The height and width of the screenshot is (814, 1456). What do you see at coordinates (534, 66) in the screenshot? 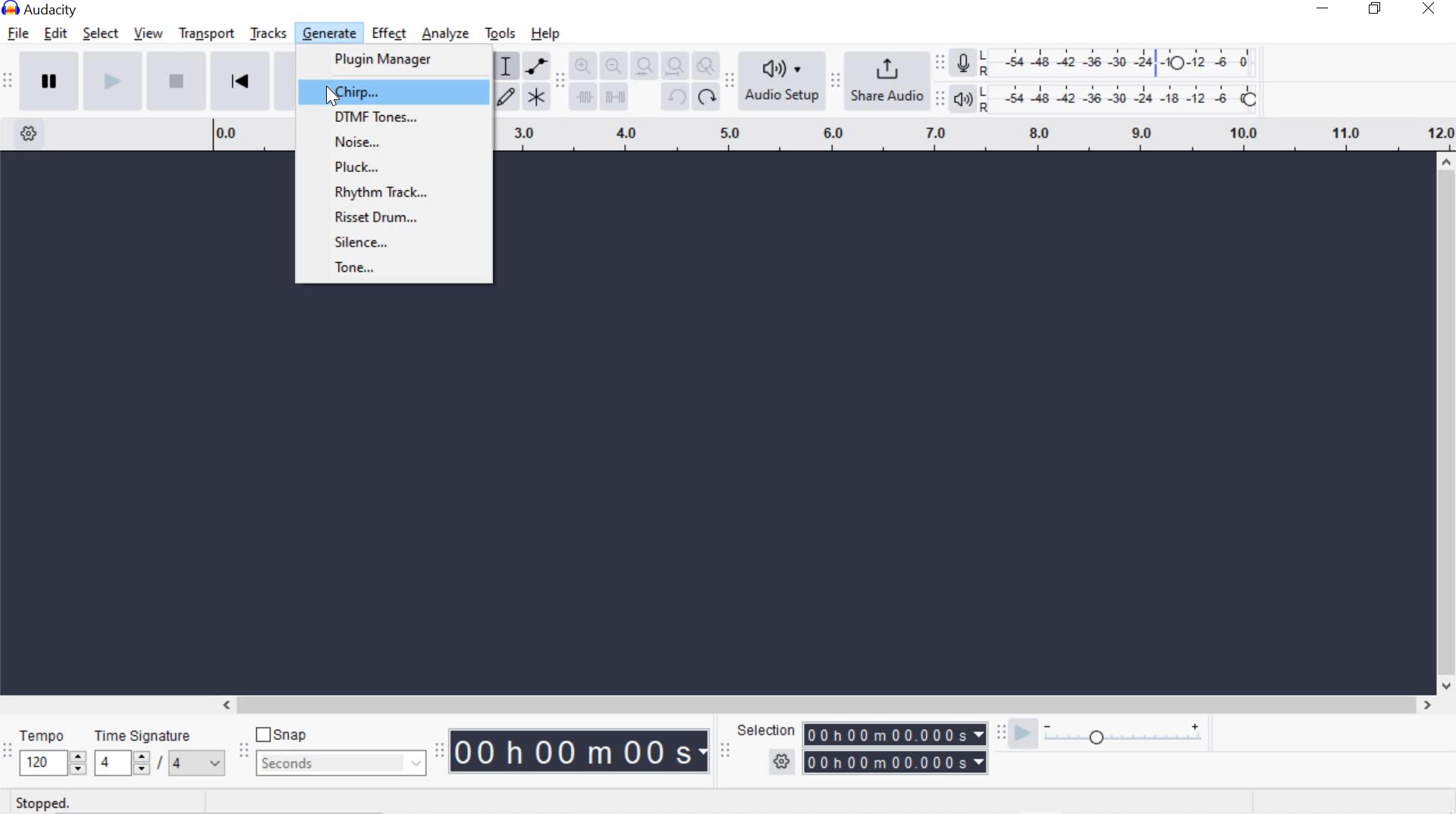
I see `Envelope tool` at bounding box center [534, 66].